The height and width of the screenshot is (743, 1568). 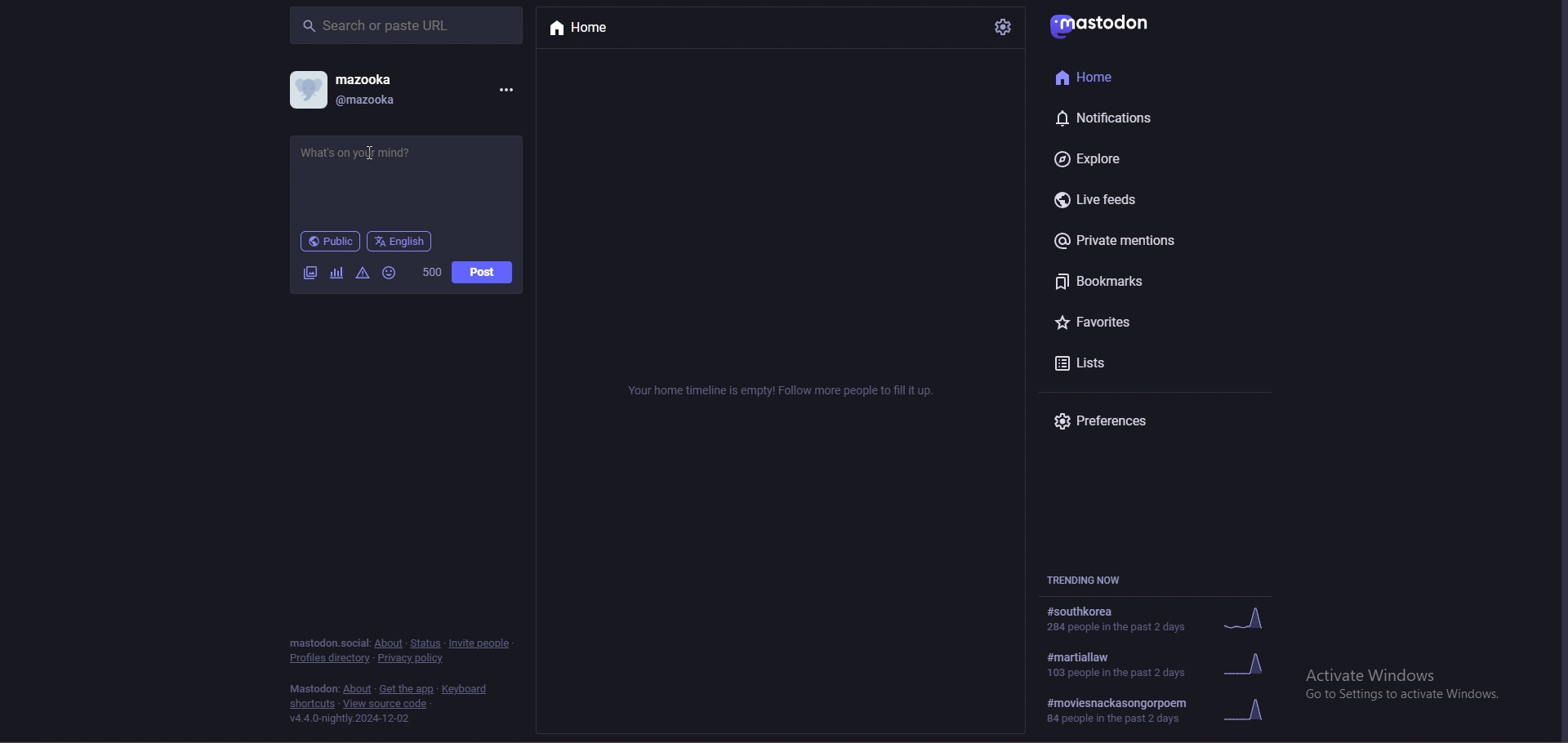 I want to click on keyboard, so click(x=465, y=689).